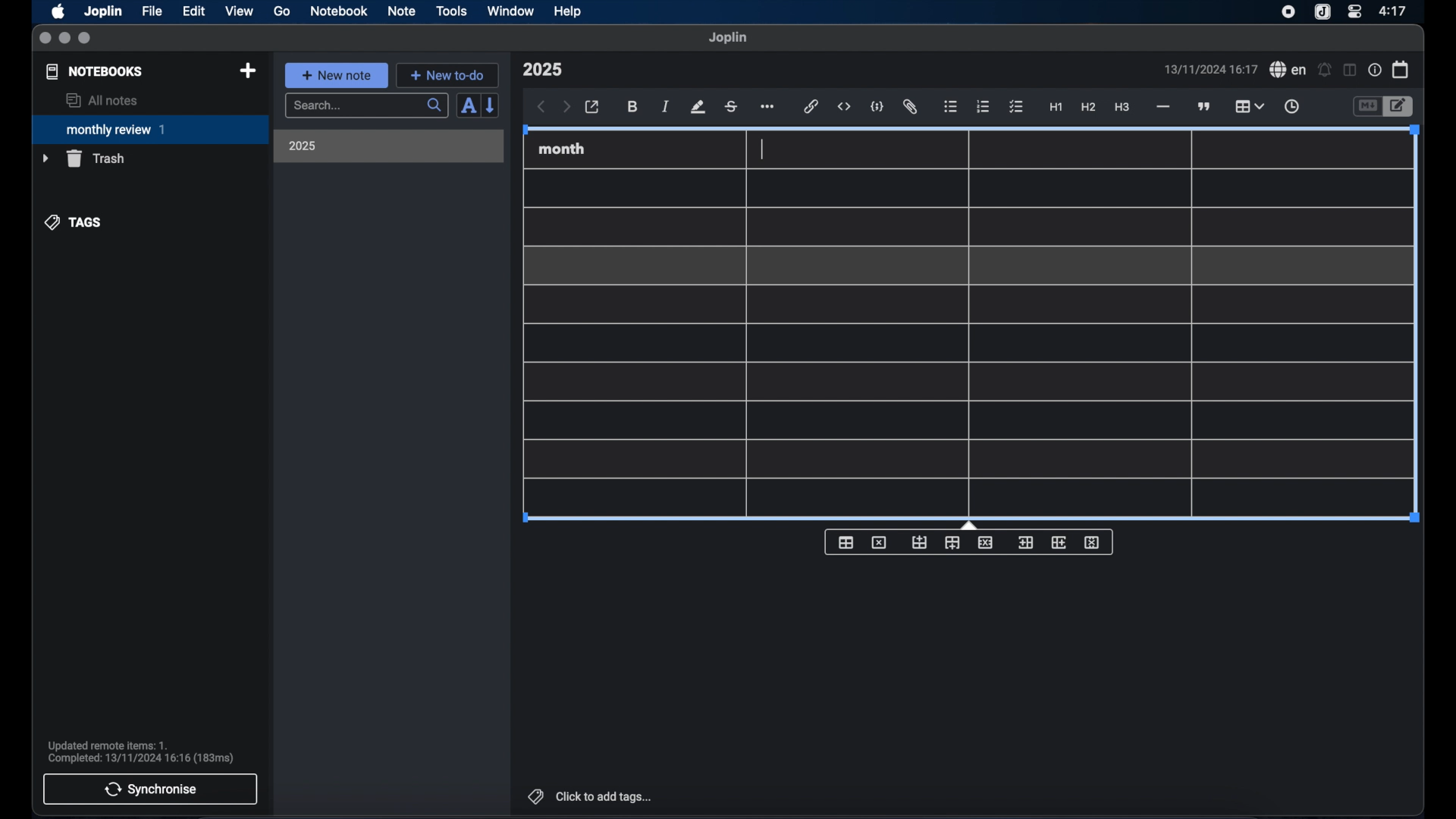 This screenshot has width=1456, height=819. Describe the element at coordinates (844, 107) in the screenshot. I see `inline code` at that location.